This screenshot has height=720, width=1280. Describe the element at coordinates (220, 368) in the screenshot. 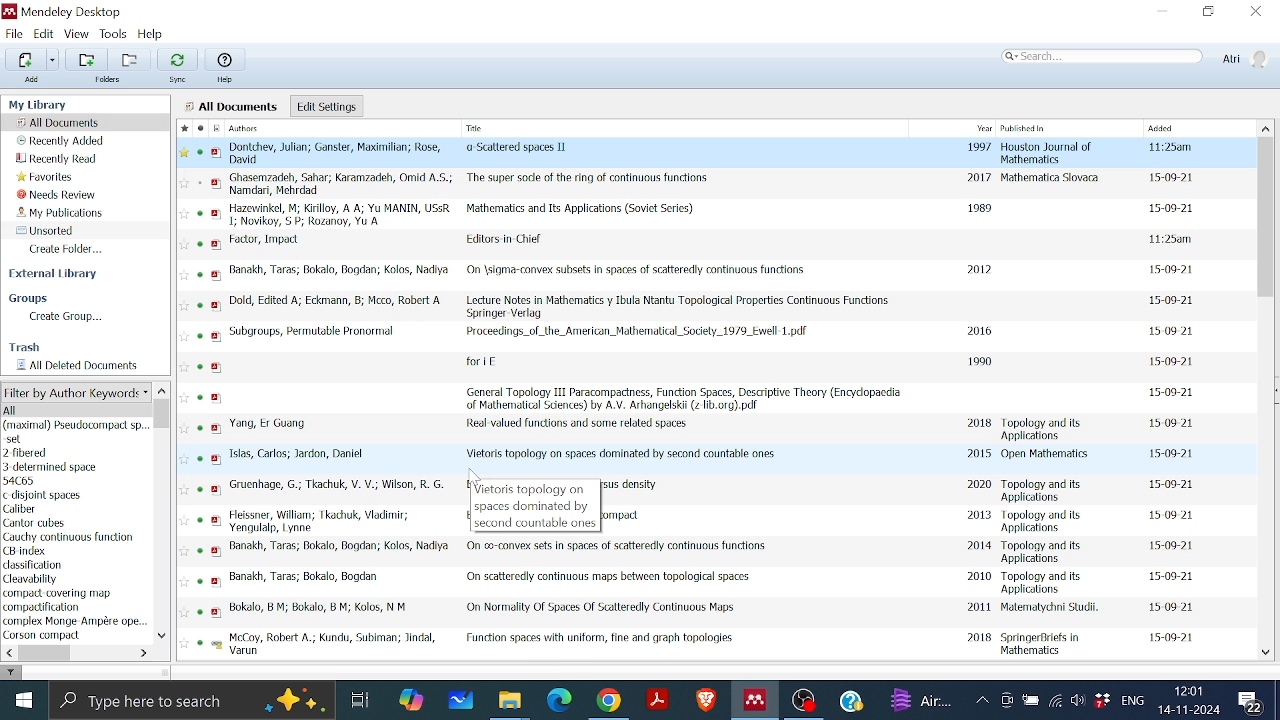

I see `pdf` at that location.